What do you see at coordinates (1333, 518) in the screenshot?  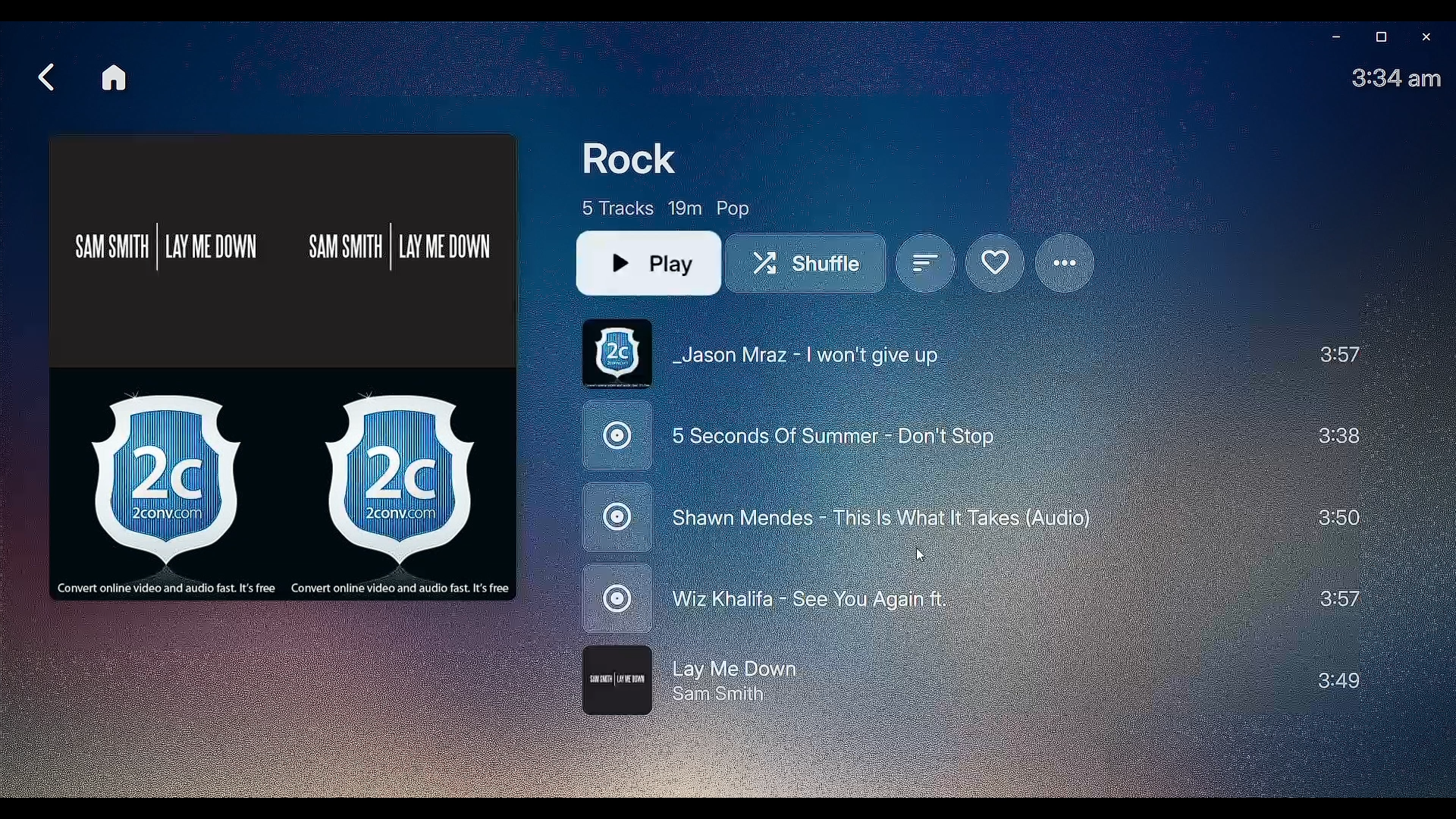 I see `Duration` at bounding box center [1333, 518].